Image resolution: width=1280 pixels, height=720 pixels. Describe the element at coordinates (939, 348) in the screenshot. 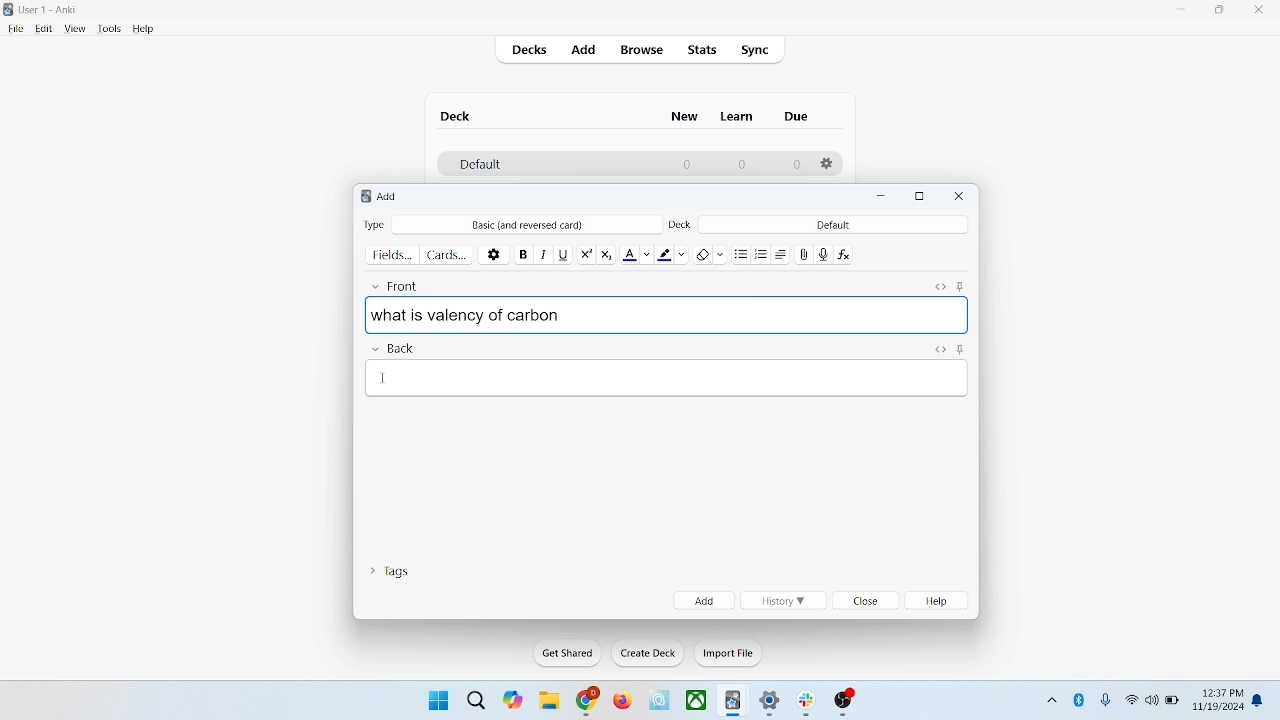

I see `HTML editor` at that location.